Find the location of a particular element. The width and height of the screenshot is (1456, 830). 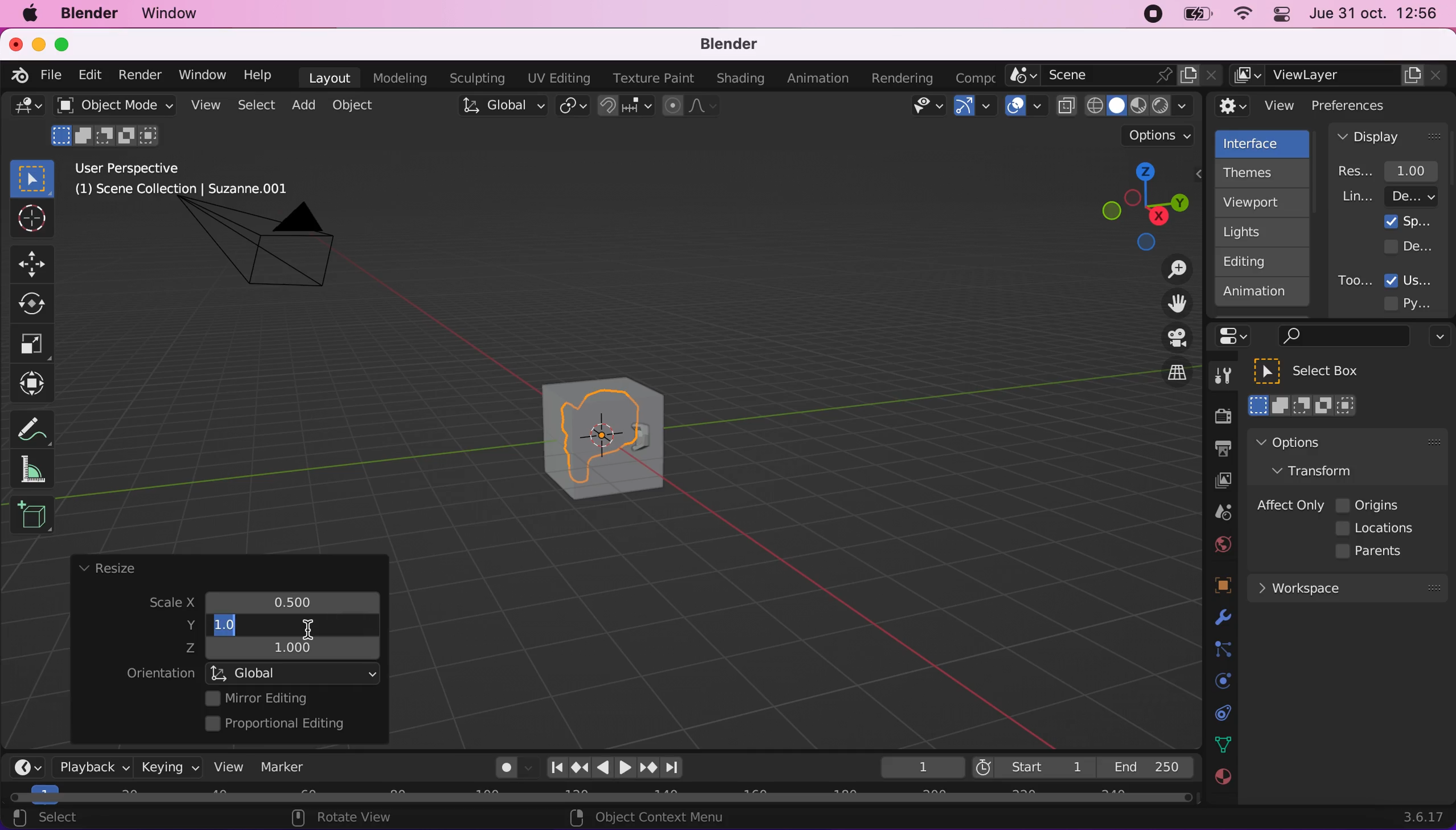

mirror editing is located at coordinates (289, 698).